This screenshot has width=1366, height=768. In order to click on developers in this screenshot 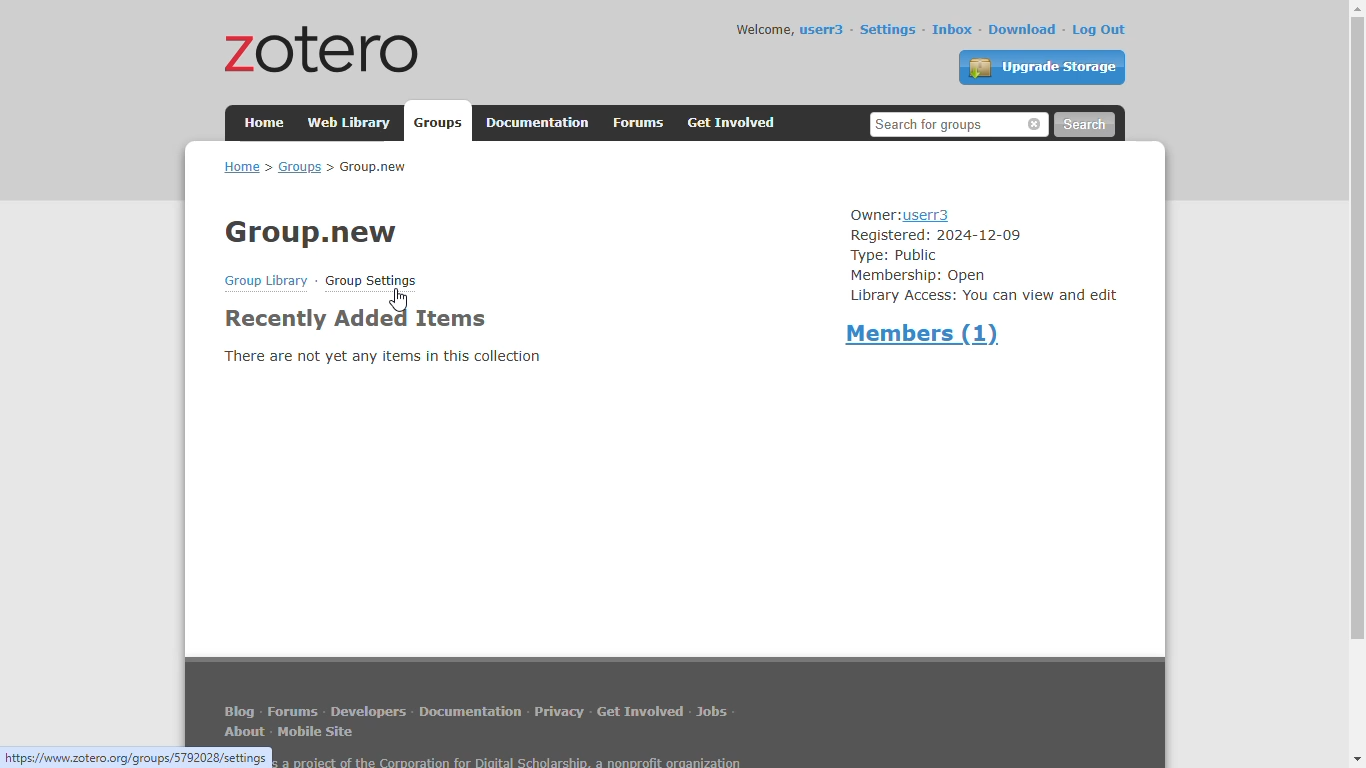, I will do `click(368, 711)`.